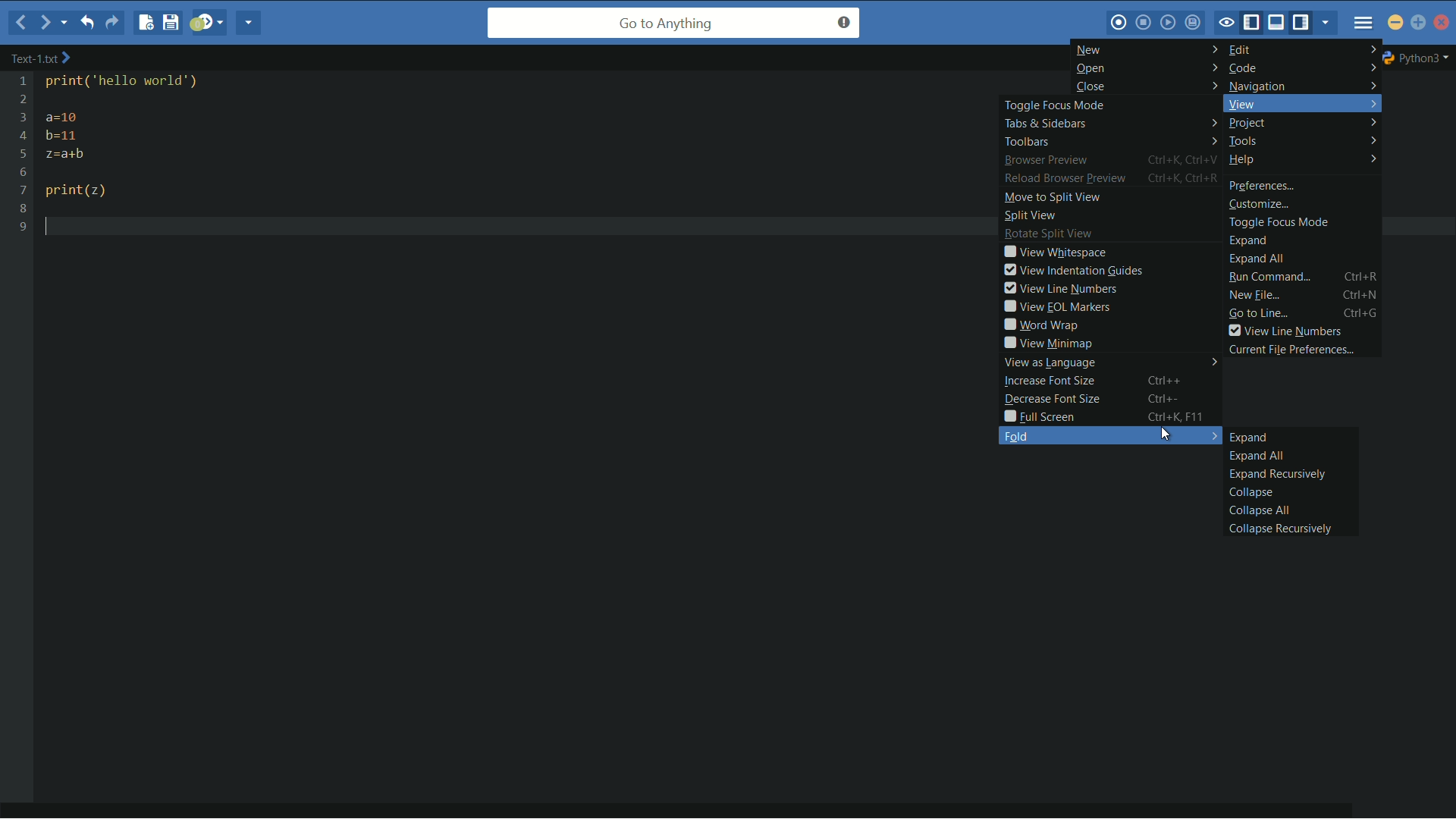  I want to click on open, so click(1145, 70).